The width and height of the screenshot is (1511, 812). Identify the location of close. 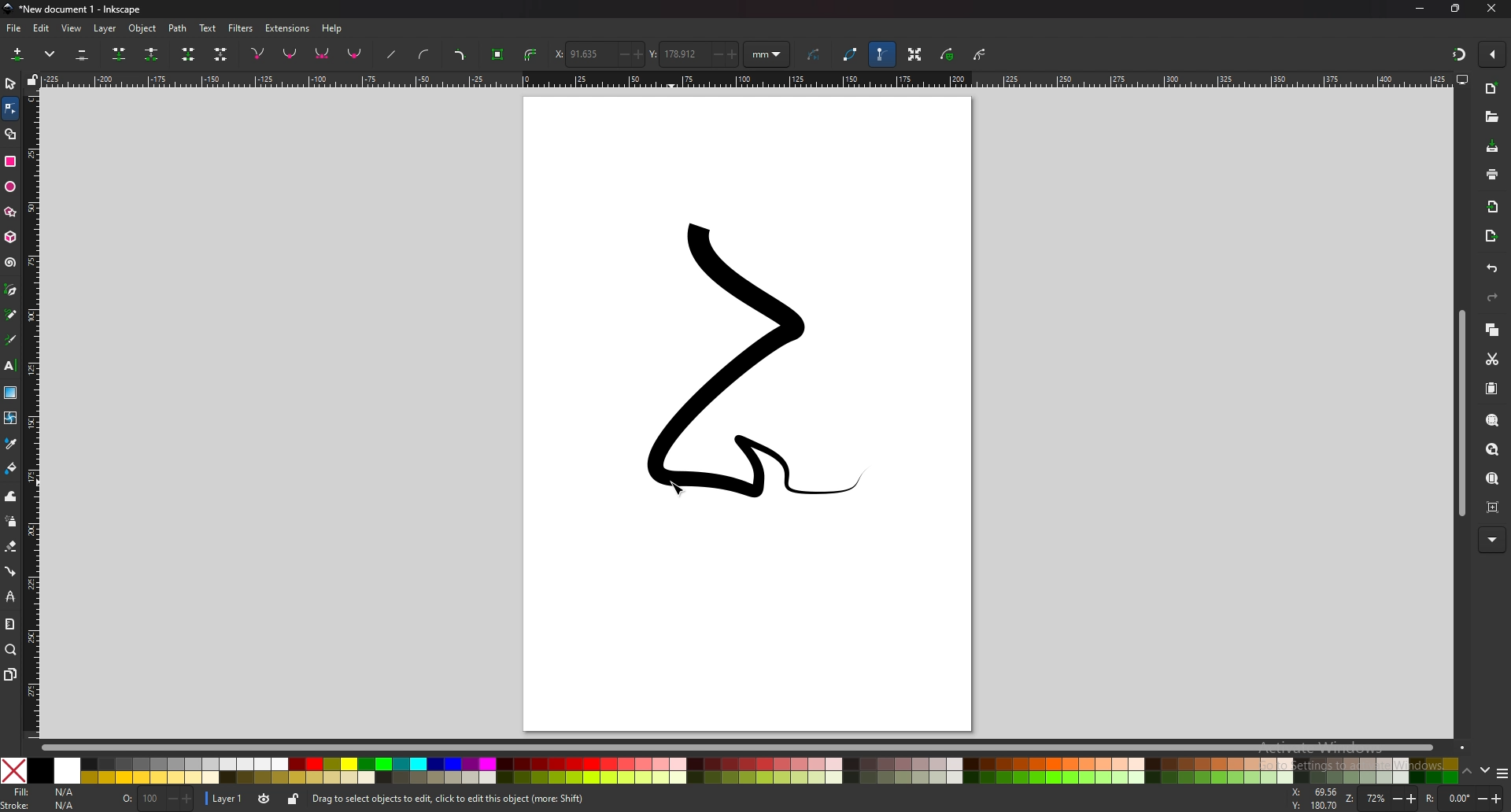
(1495, 9).